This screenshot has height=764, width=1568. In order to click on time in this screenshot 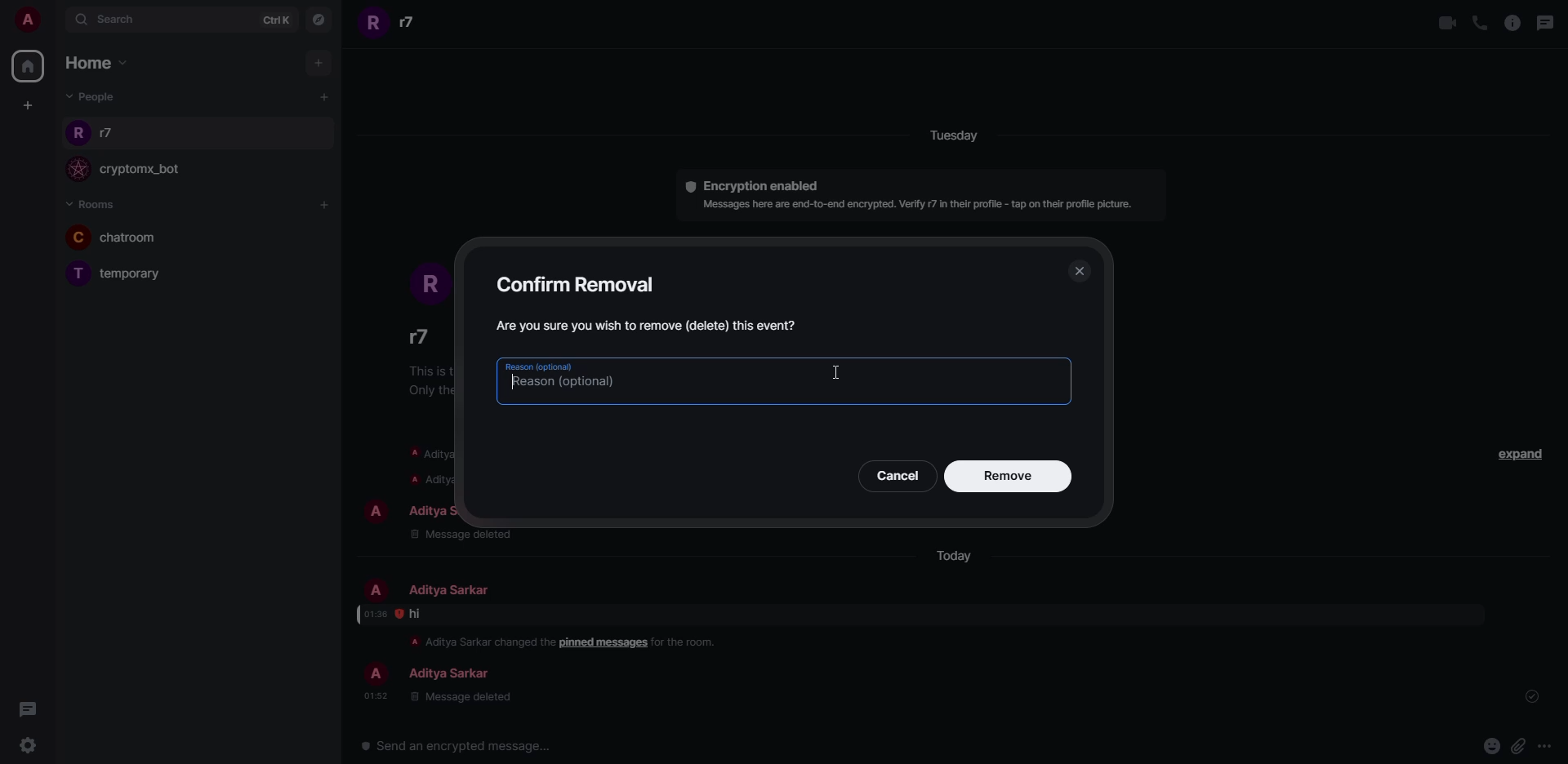, I will do `click(375, 614)`.